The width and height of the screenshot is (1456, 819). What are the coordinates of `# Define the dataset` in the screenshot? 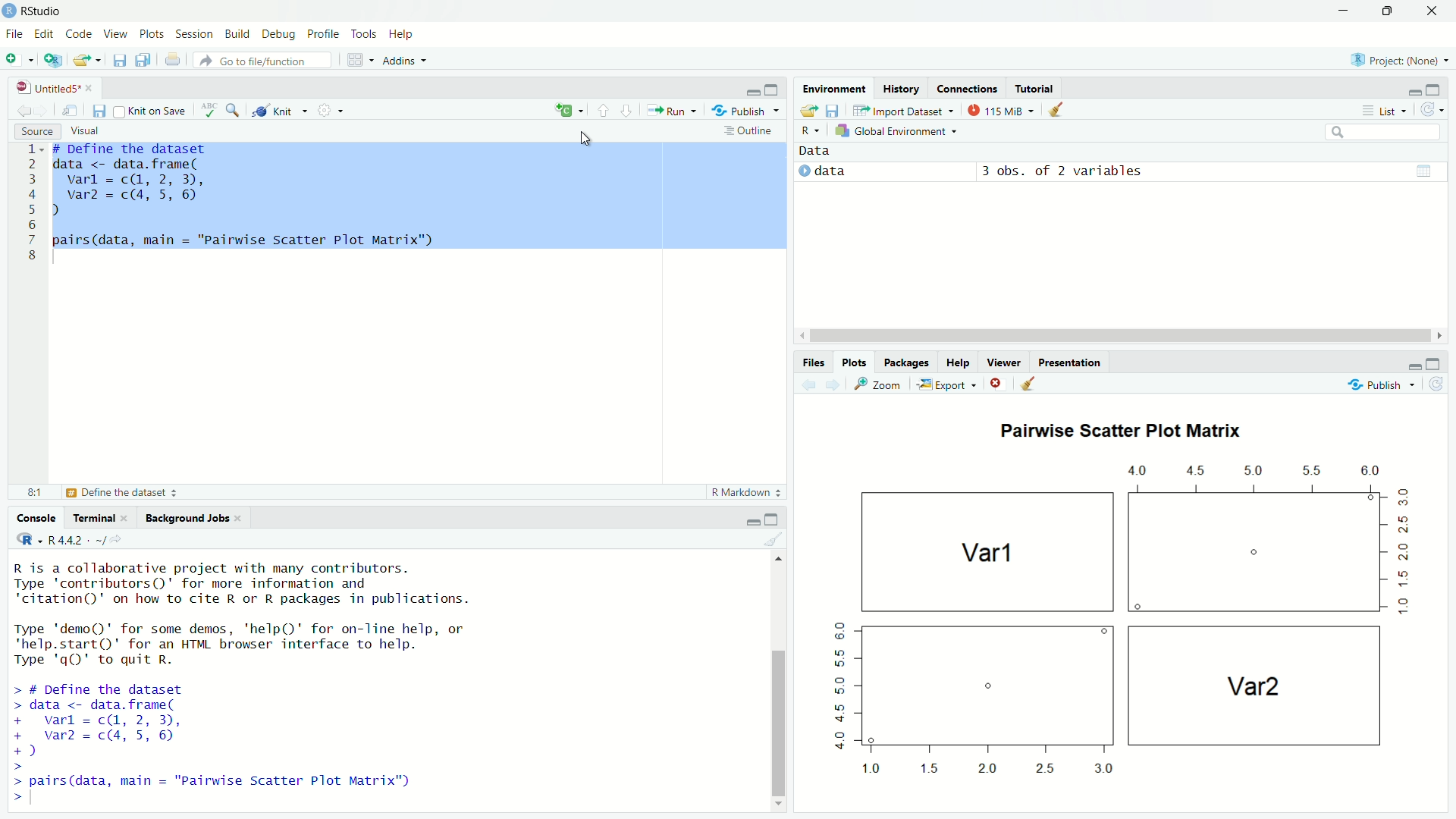 It's located at (125, 493).